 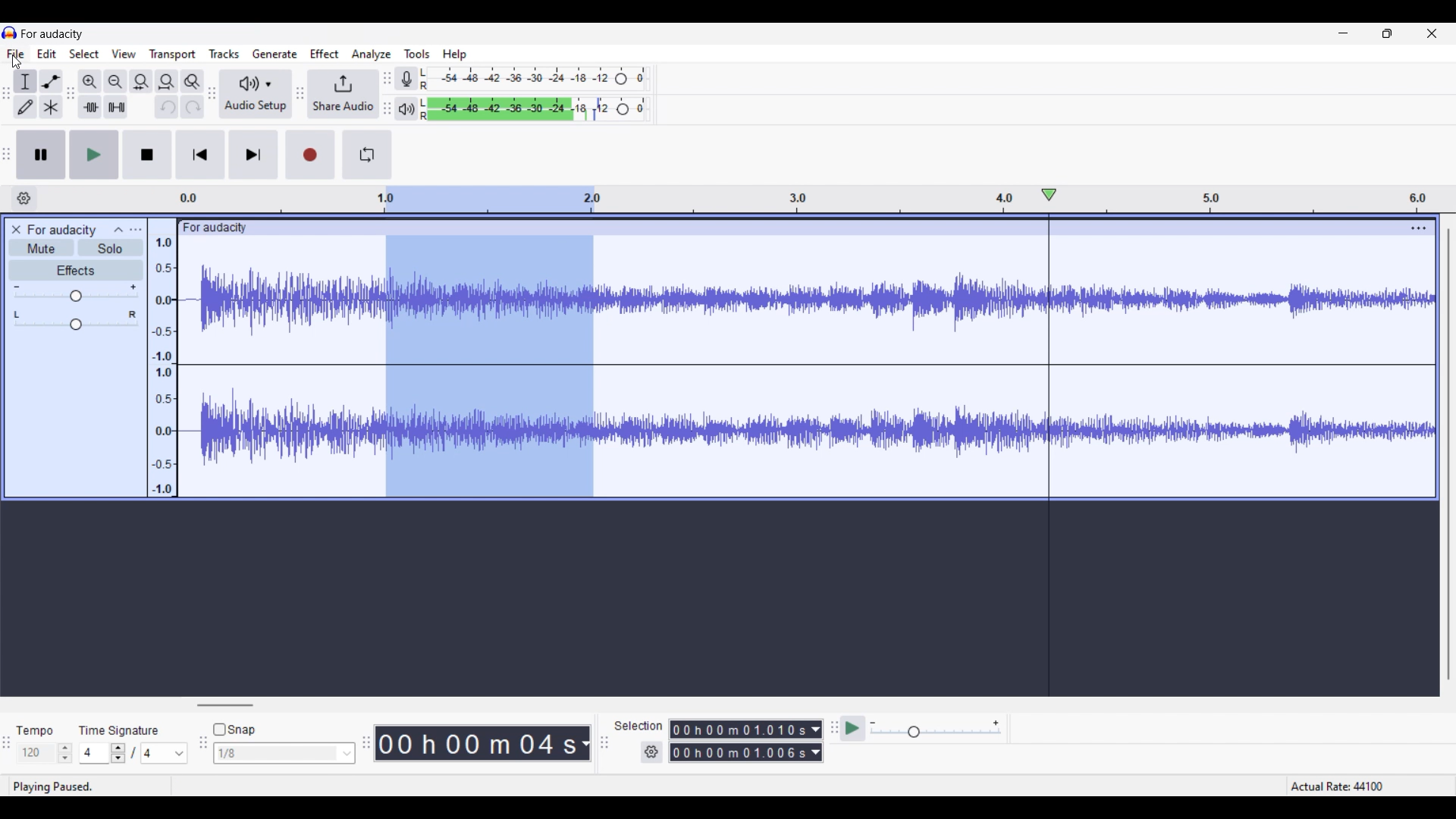 I want to click on Help menu, so click(x=454, y=55).